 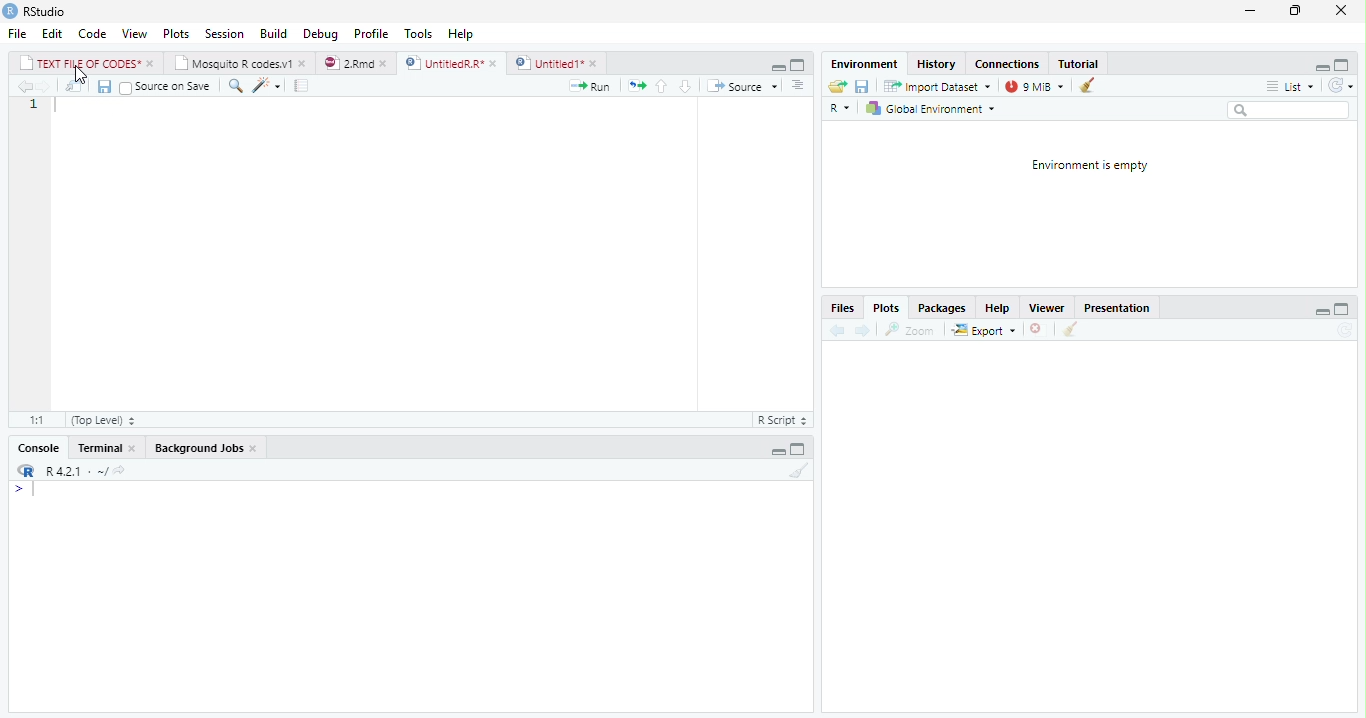 What do you see at coordinates (800, 447) in the screenshot?
I see `hide console` at bounding box center [800, 447].